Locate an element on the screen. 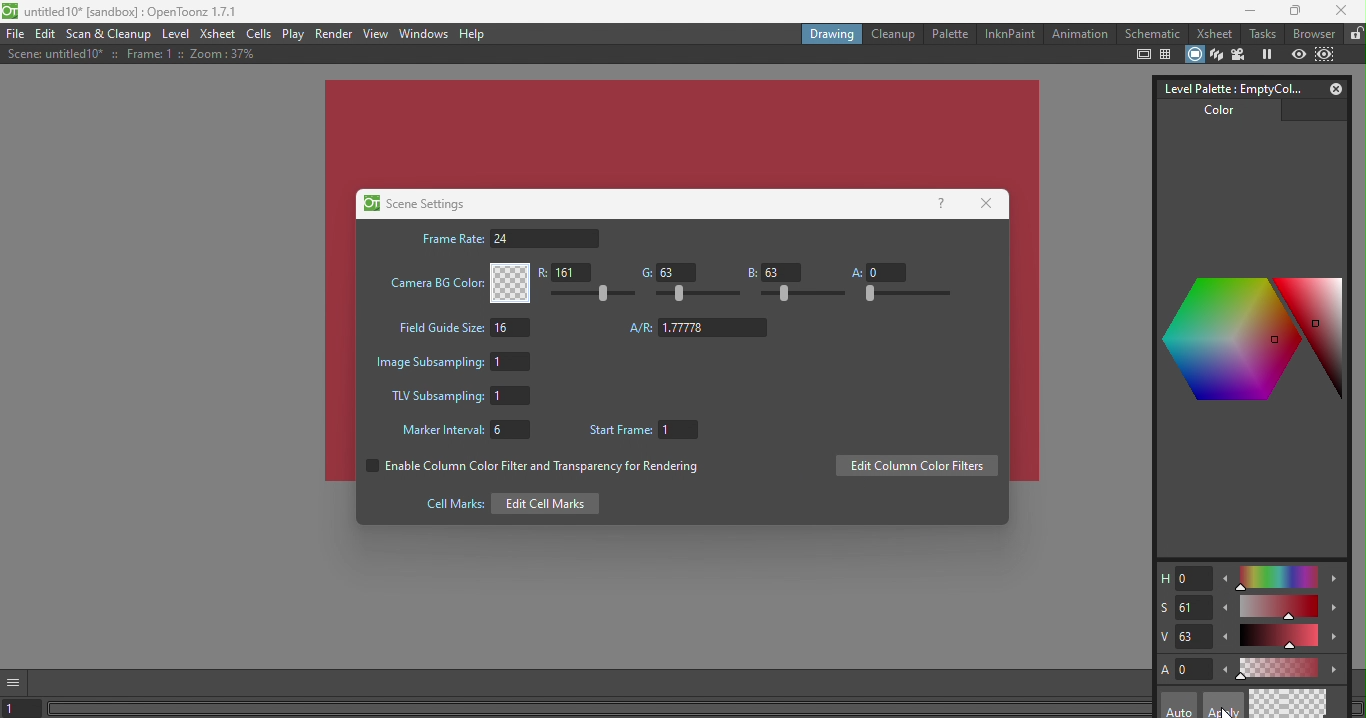  Render is located at coordinates (335, 33).